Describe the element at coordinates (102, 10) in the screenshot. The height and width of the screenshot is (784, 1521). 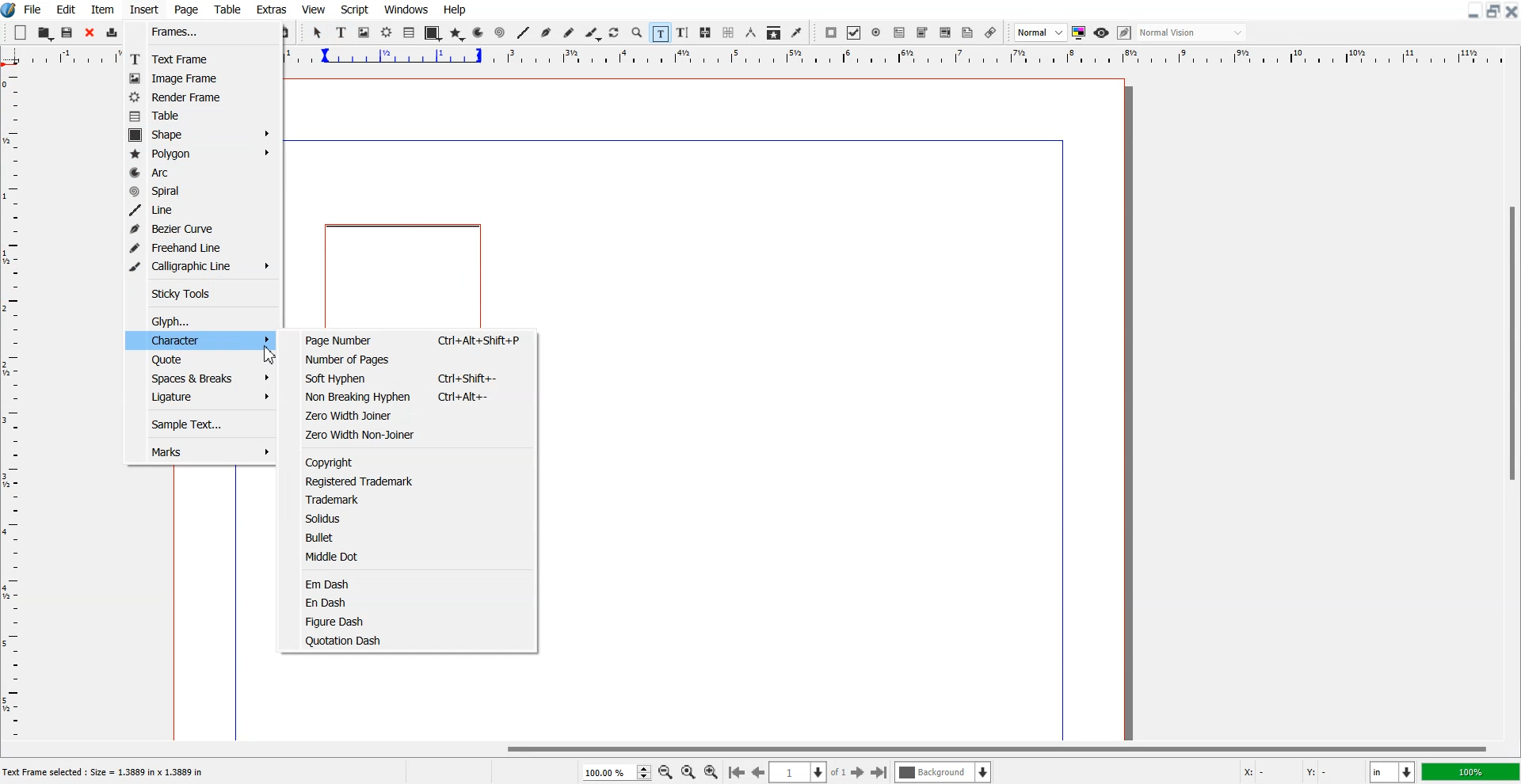
I see `Item` at that location.